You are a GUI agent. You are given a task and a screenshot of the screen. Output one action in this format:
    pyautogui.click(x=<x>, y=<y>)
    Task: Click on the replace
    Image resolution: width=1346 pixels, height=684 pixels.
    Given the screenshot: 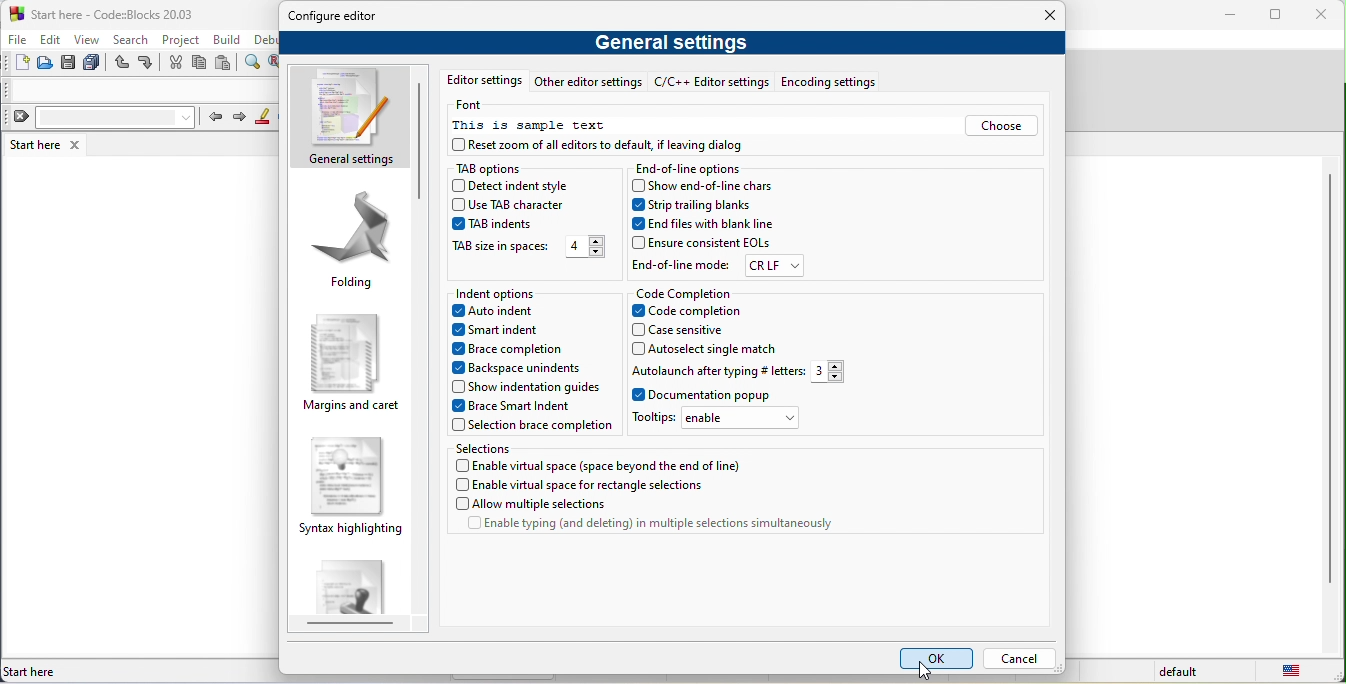 What is the action you would take?
    pyautogui.click(x=276, y=65)
    